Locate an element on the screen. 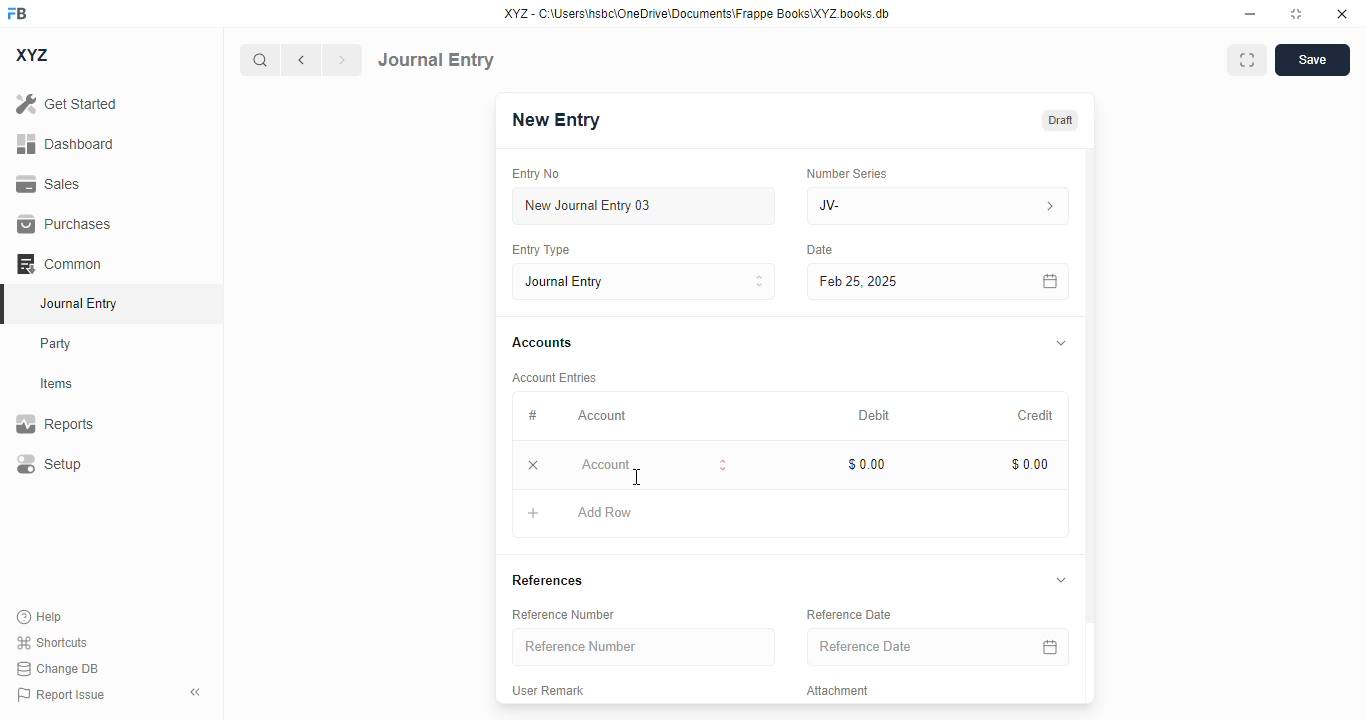 The width and height of the screenshot is (1366, 720). reference data is located at coordinates (849, 614).